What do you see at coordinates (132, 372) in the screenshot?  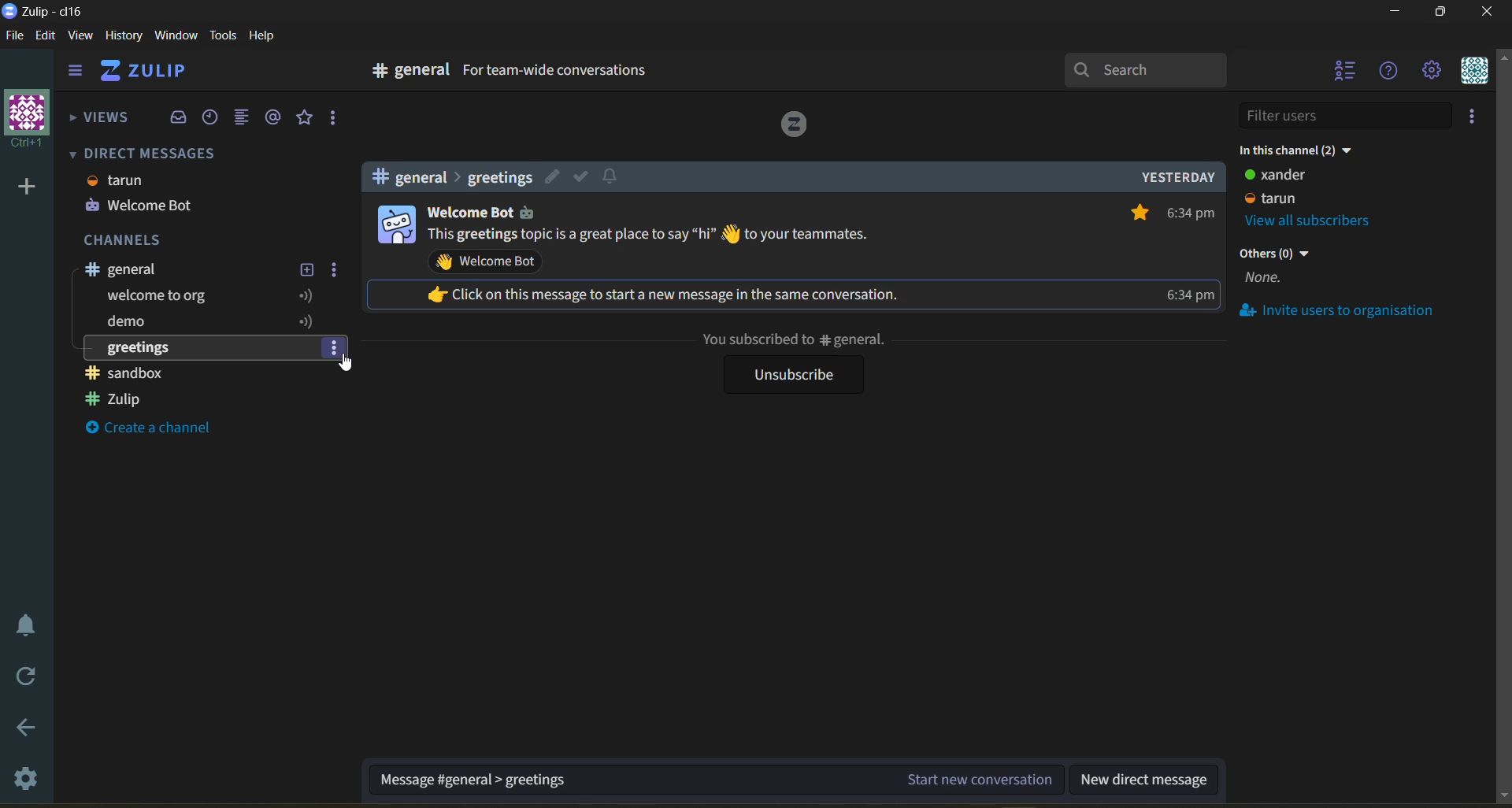 I see `sandbox` at bounding box center [132, 372].